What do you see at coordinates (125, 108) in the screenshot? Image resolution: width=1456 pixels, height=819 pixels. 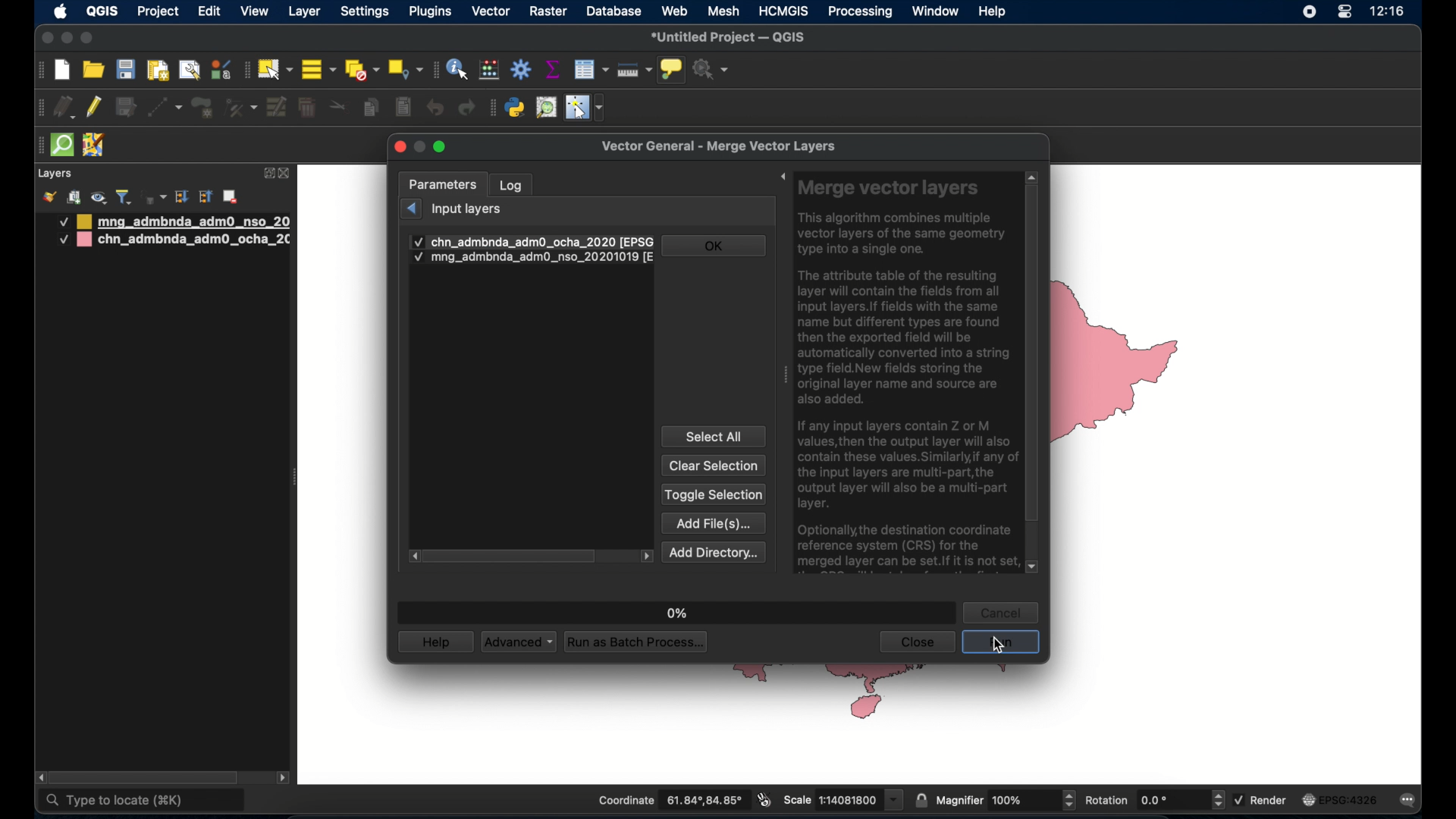 I see `save edits` at bounding box center [125, 108].